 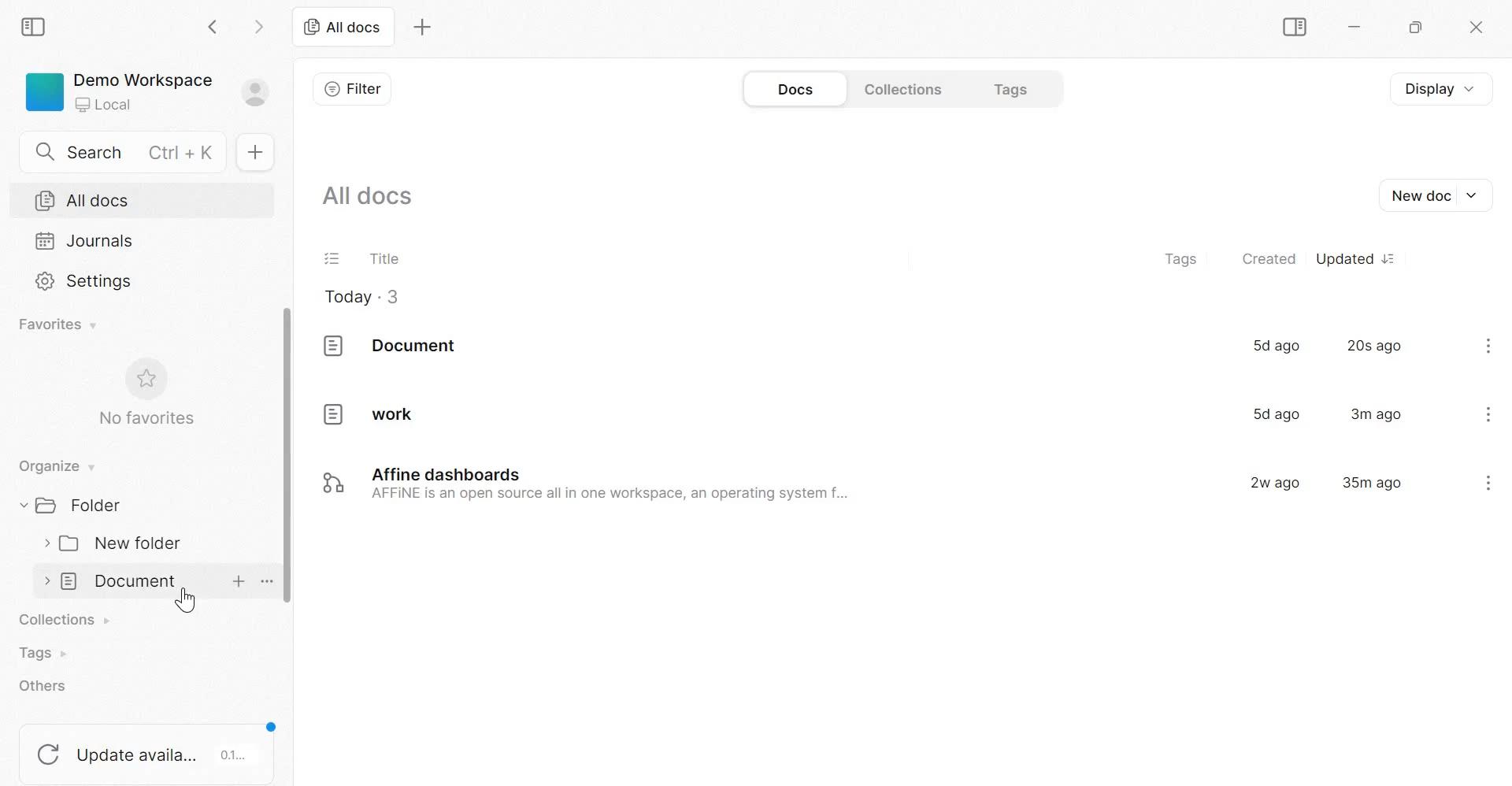 What do you see at coordinates (384, 257) in the screenshot?
I see `Title` at bounding box center [384, 257].